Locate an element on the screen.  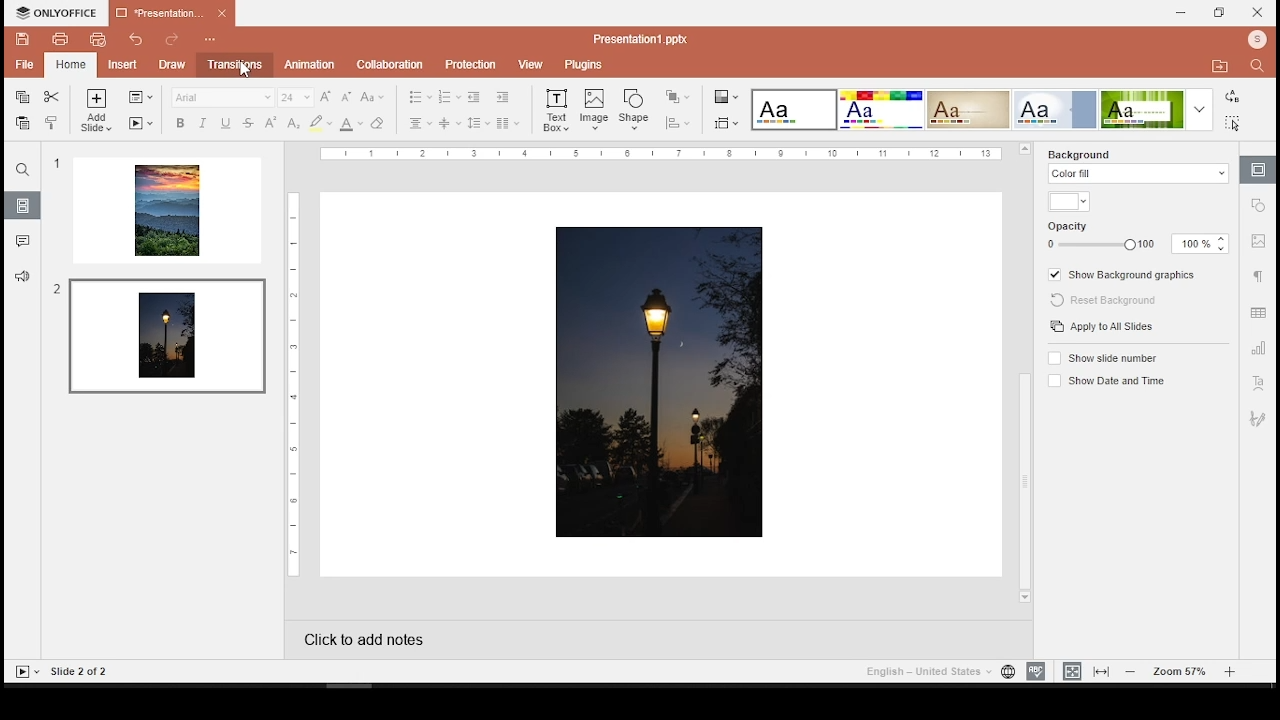
show date and time on/off is located at coordinates (1109, 380).